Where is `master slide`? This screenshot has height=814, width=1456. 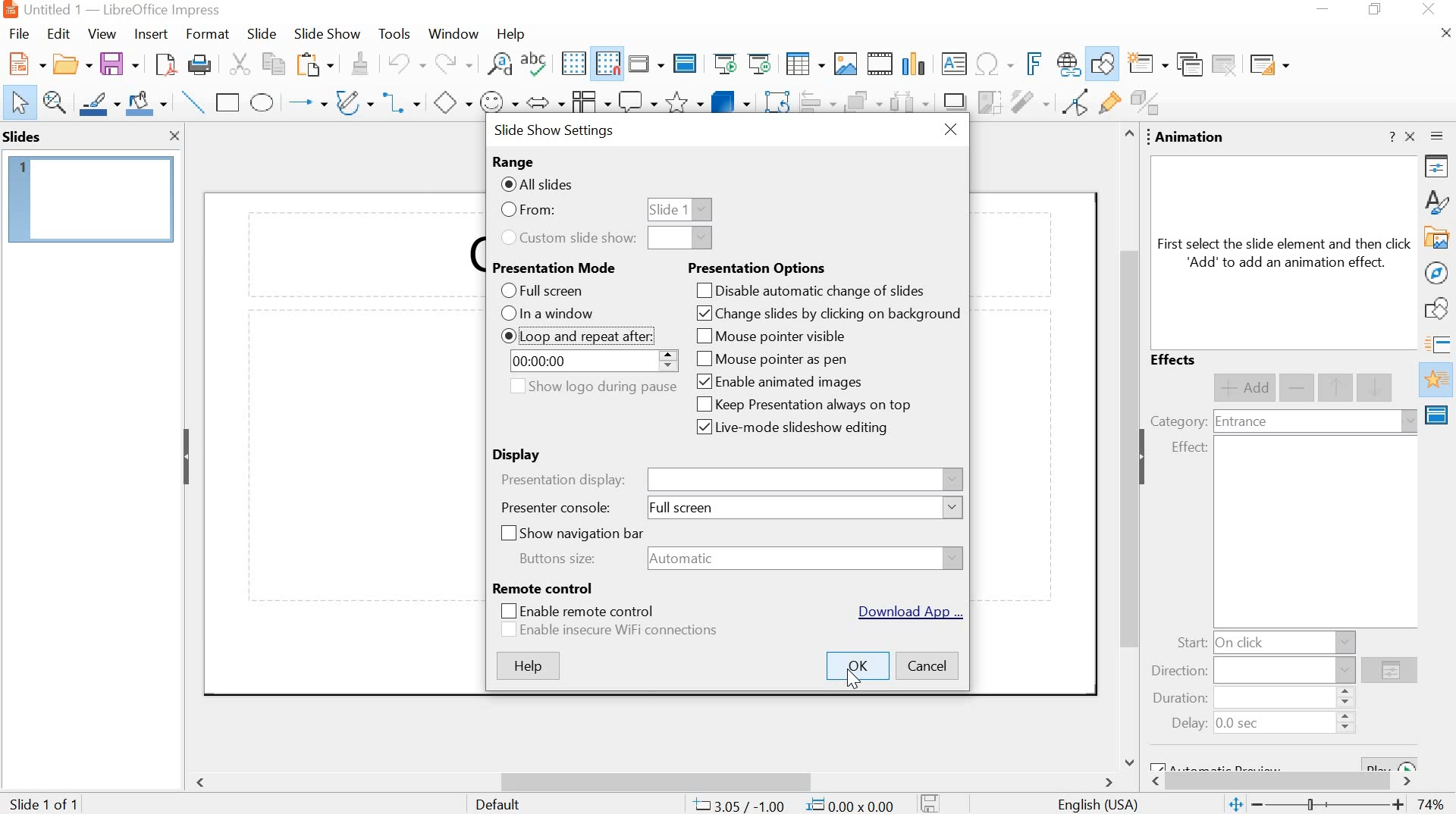 master slide is located at coordinates (685, 64).